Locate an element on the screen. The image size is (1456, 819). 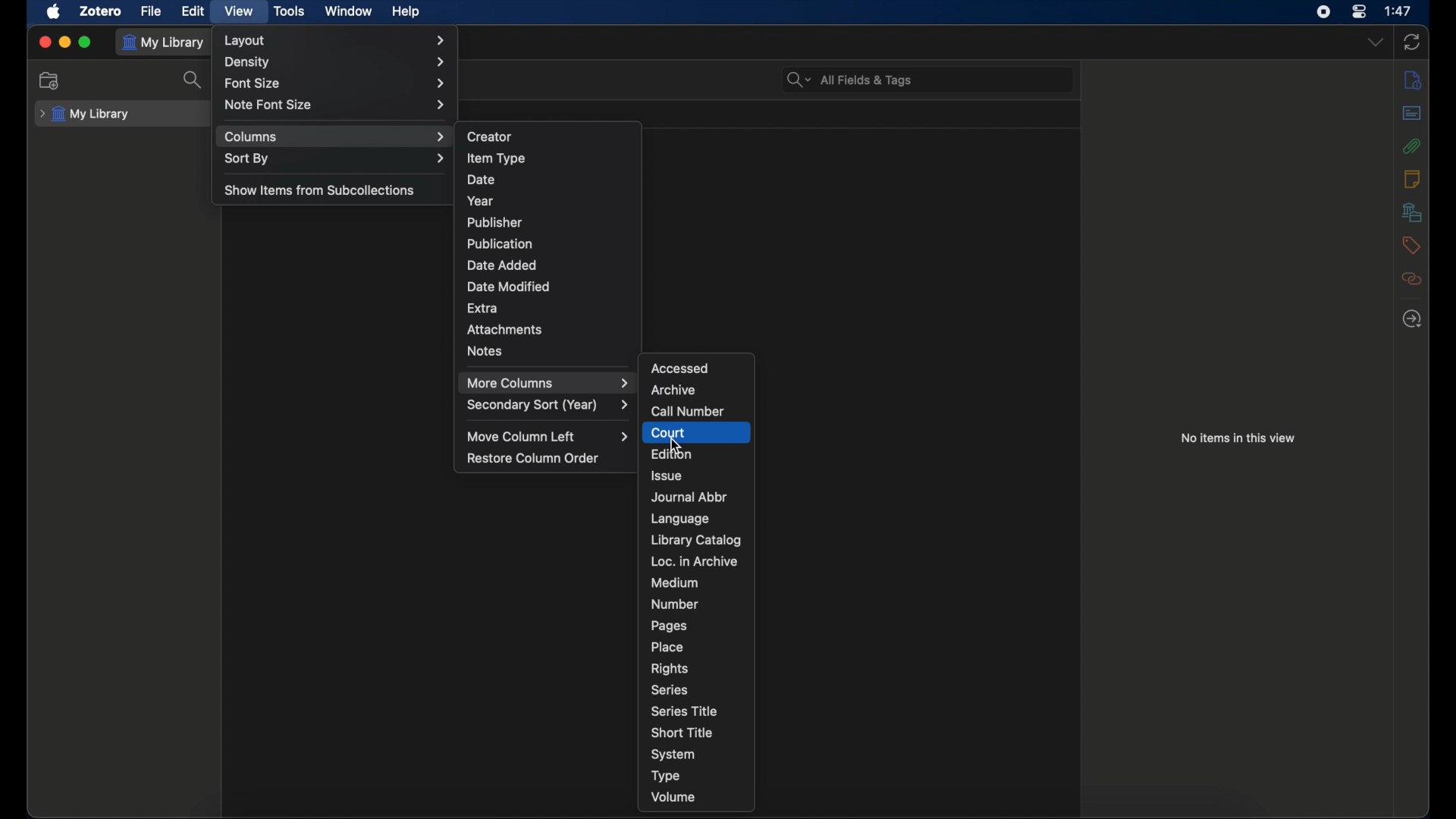
publication is located at coordinates (501, 243).